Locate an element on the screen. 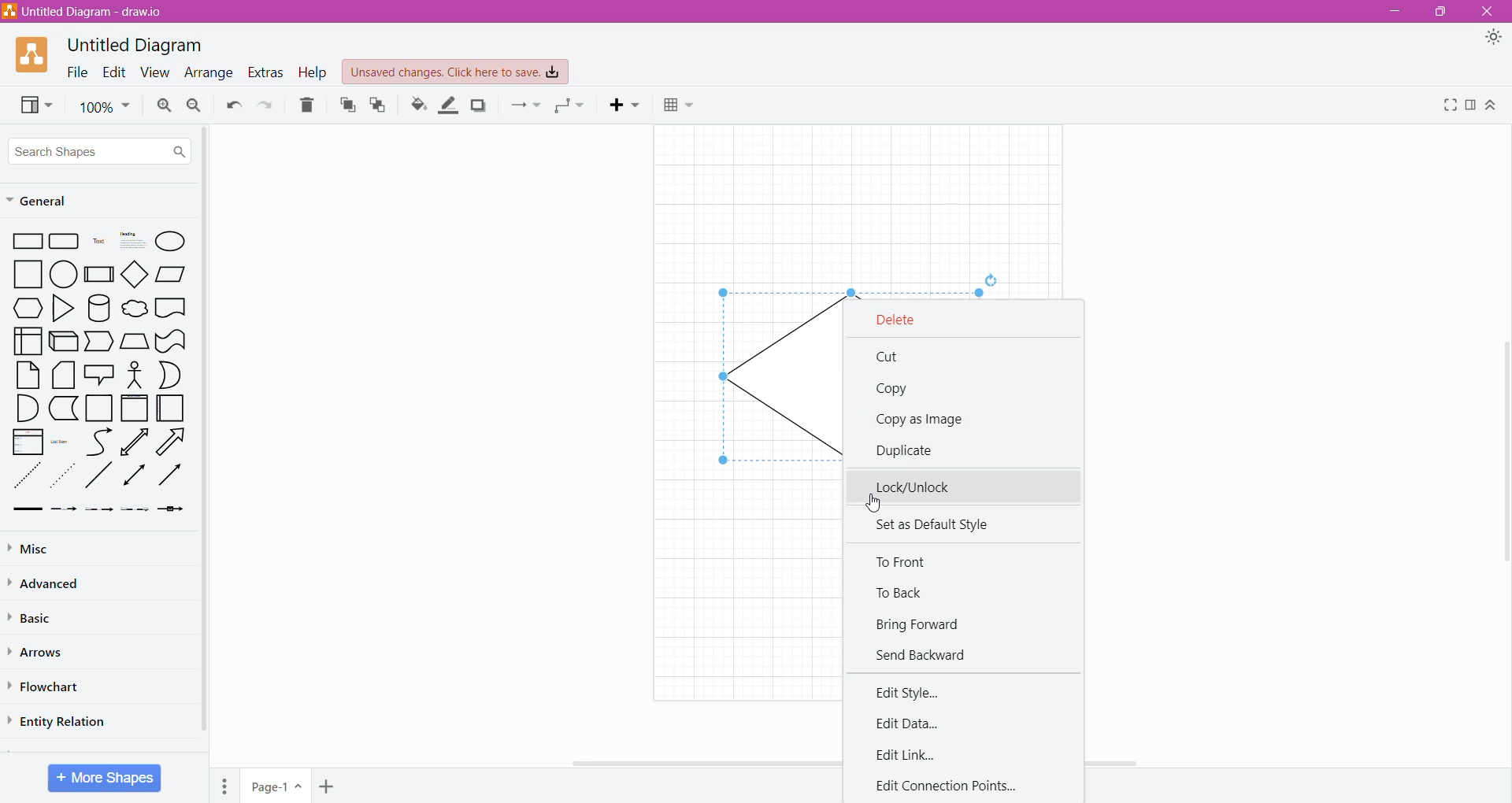 This screenshot has height=803, width=1512. Copy is located at coordinates (895, 390).